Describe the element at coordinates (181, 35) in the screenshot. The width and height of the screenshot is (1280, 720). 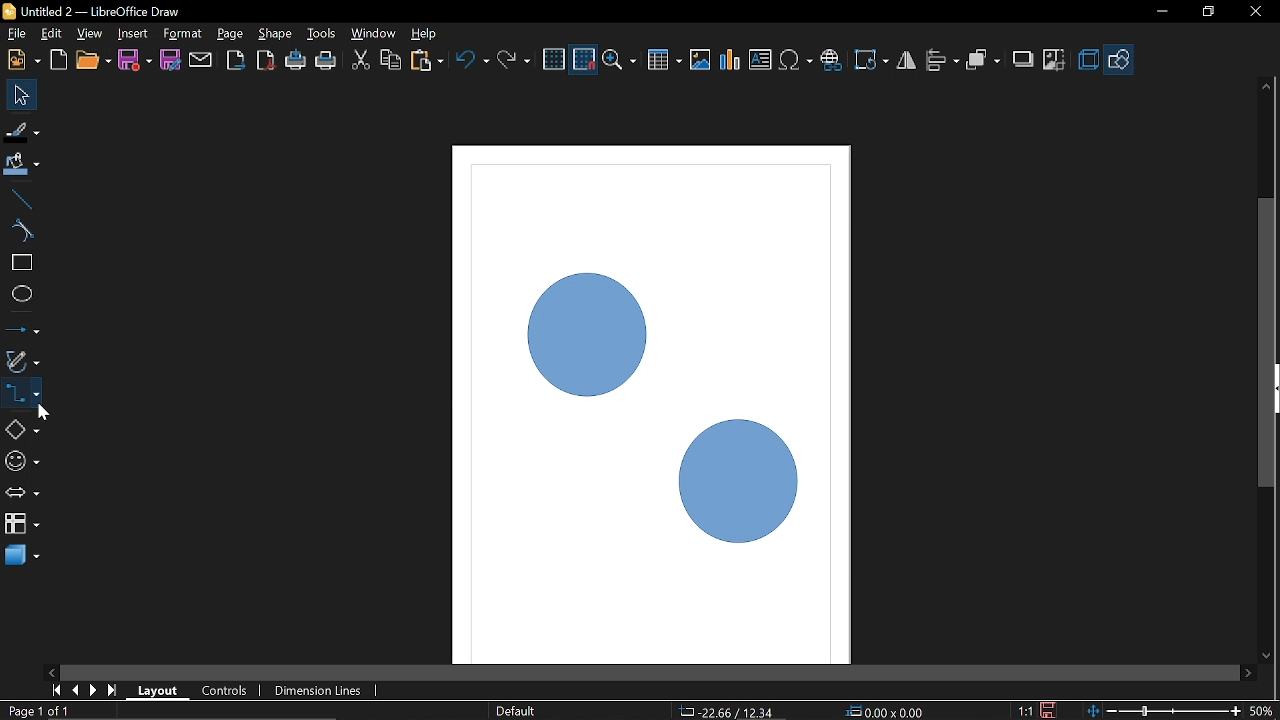
I see `Format` at that location.